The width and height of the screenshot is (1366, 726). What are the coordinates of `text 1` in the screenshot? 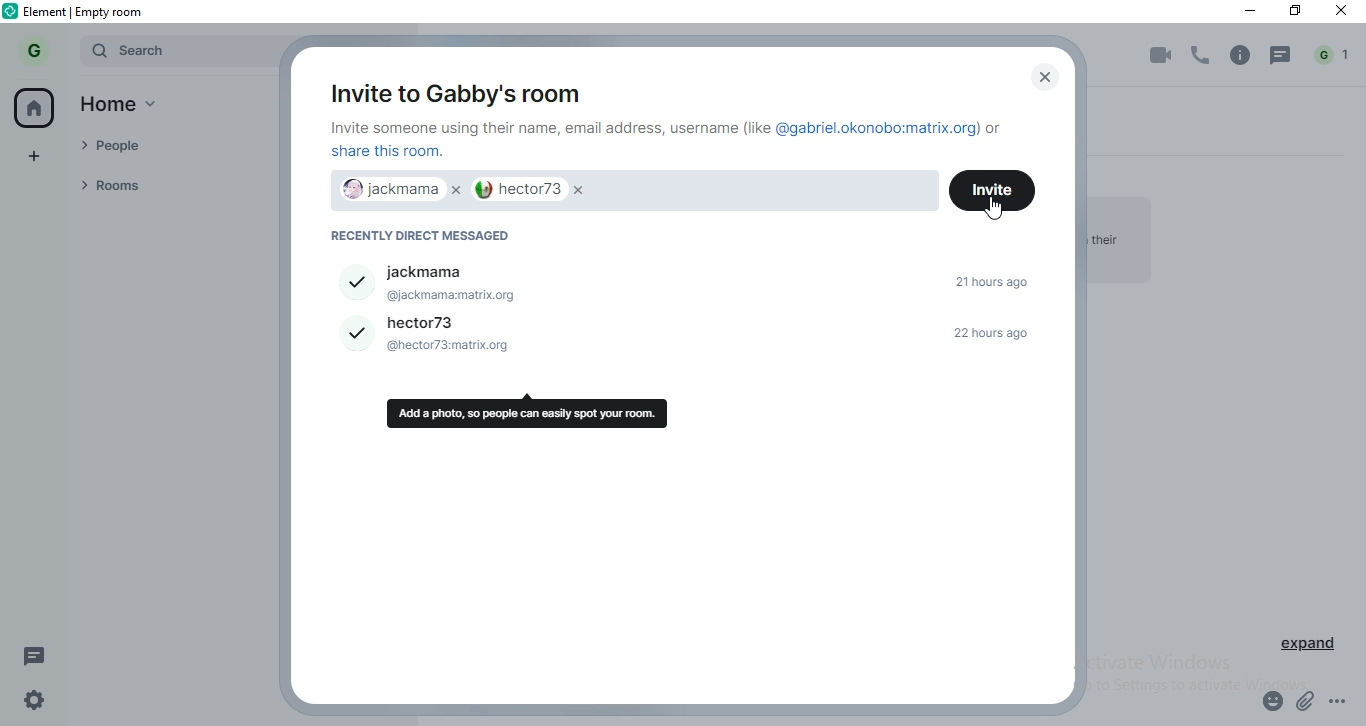 It's located at (670, 140).